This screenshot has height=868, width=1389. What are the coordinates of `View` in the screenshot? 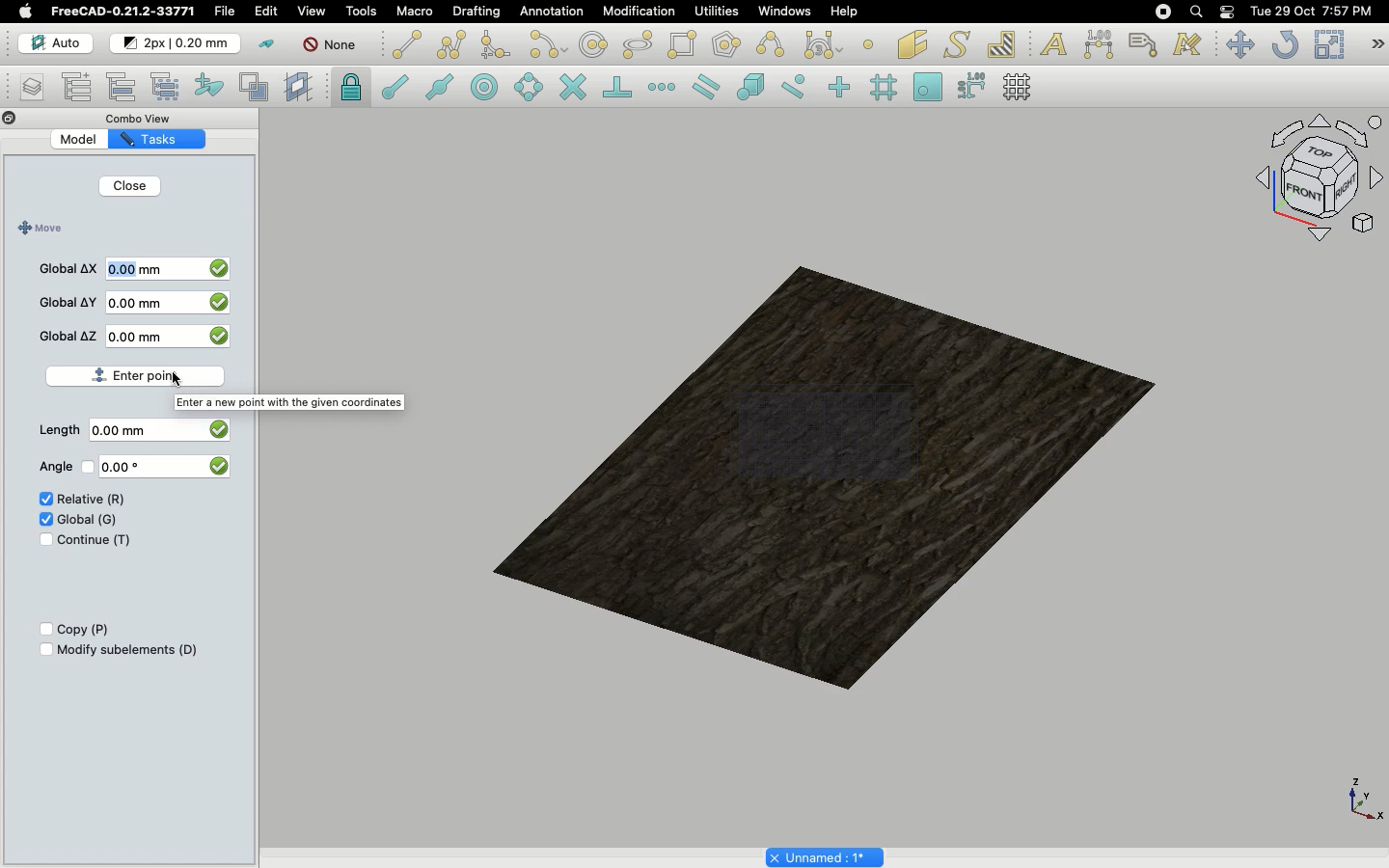 It's located at (312, 10).